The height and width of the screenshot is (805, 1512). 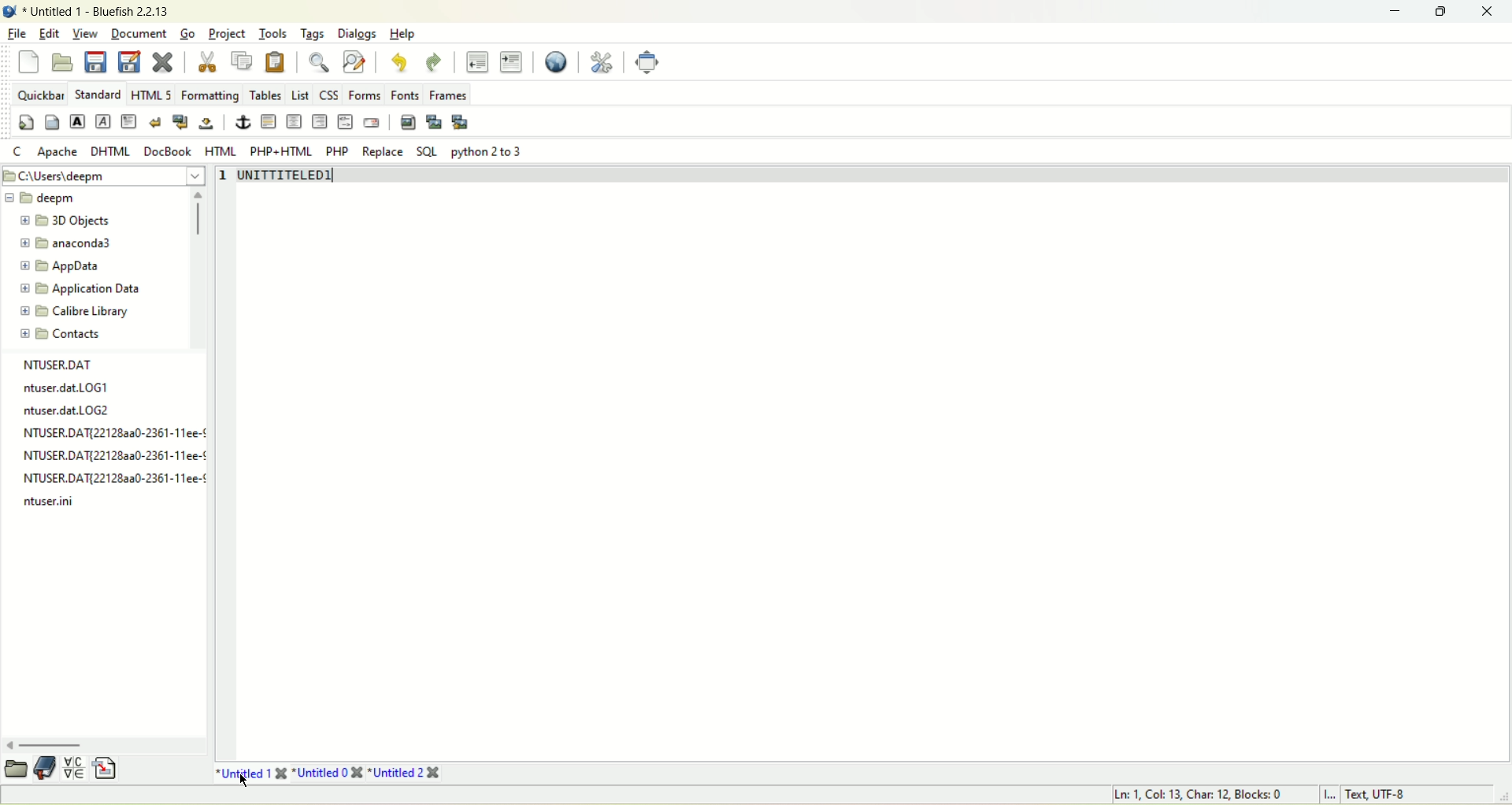 What do you see at coordinates (435, 61) in the screenshot?
I see `redo` at bounding box center [435, 61].